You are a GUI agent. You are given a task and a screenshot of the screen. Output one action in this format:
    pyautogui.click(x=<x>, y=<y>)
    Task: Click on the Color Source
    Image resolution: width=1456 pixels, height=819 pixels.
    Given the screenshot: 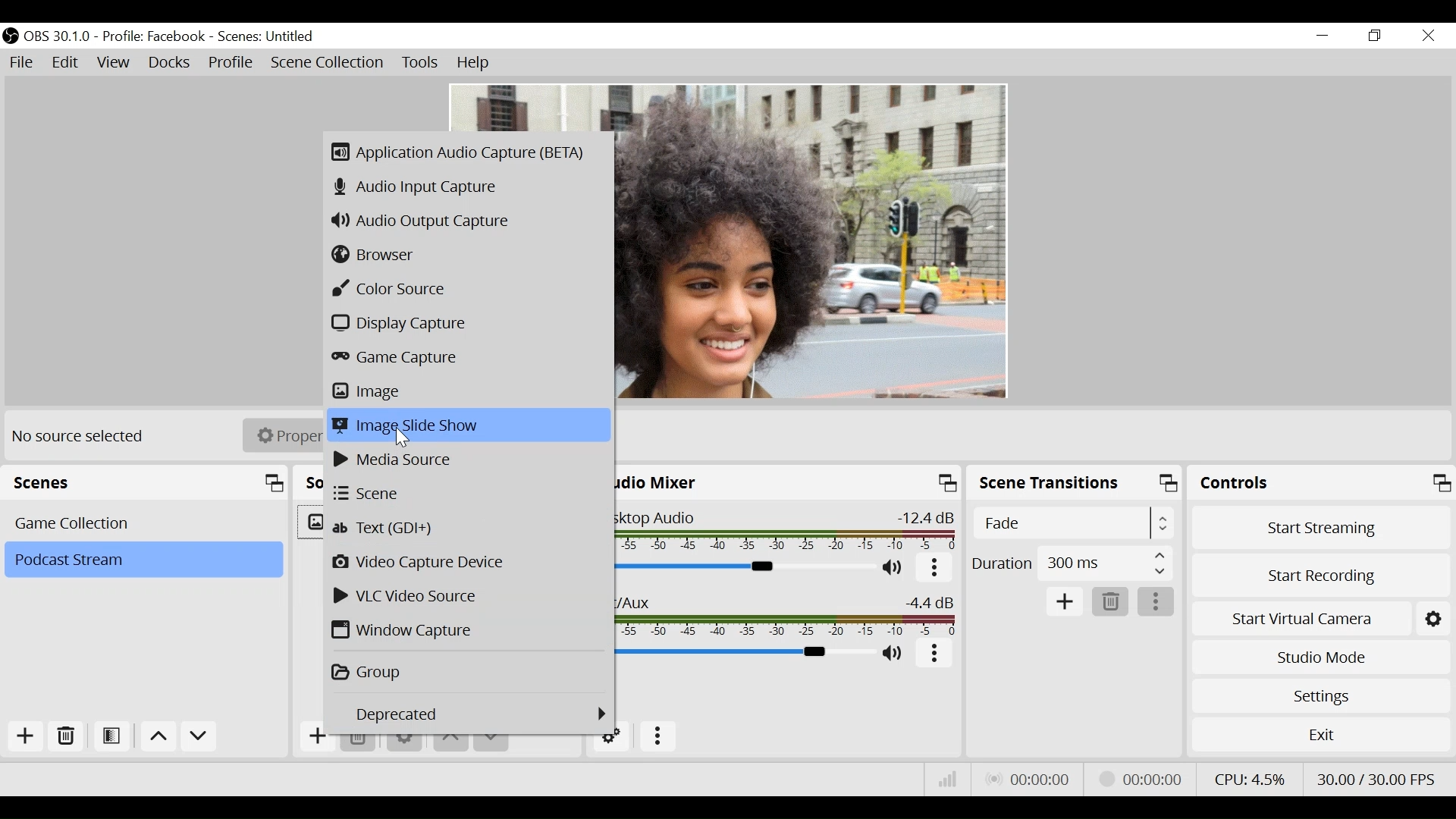 What is the action you would take?
    pyautogui.click(x=469, y=289)
    